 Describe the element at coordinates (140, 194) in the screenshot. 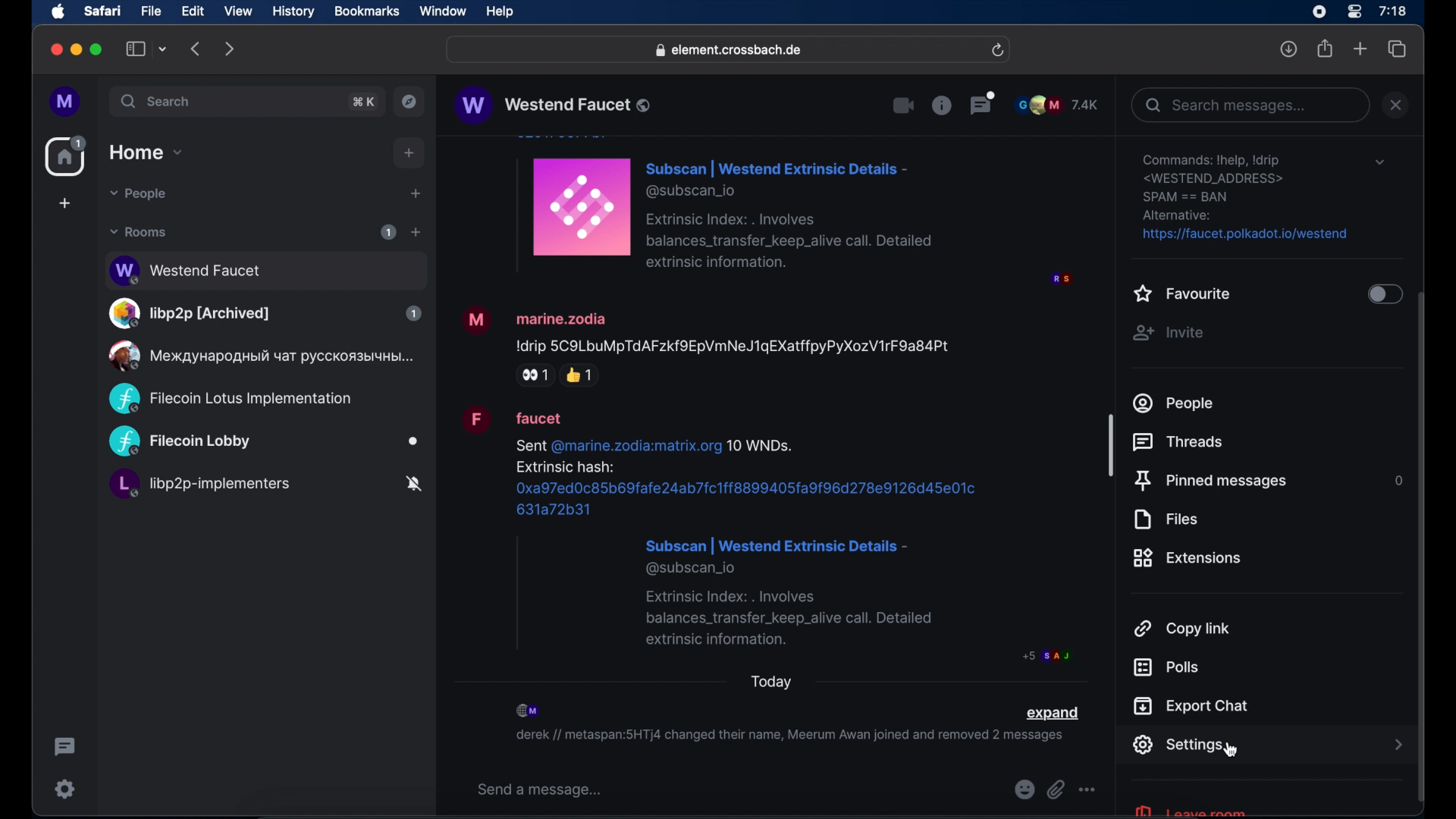

I see `` at that location.